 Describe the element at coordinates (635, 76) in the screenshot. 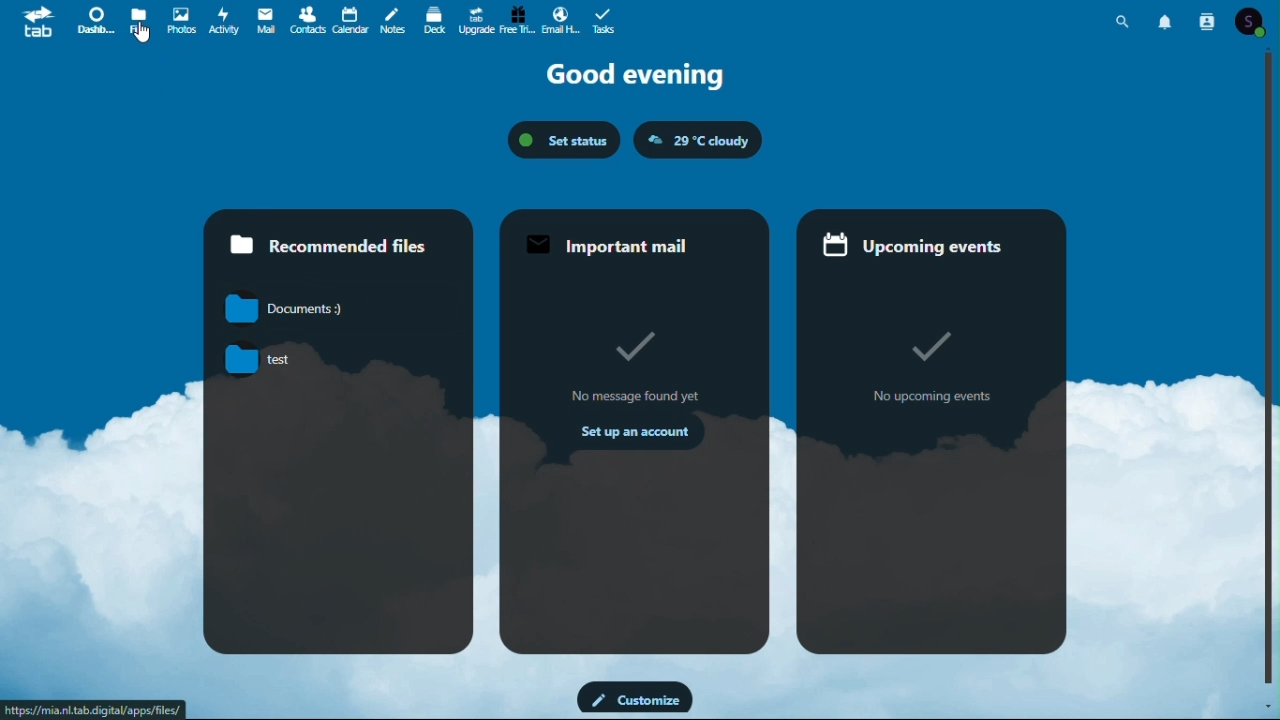

I see `Good evening` at that location.